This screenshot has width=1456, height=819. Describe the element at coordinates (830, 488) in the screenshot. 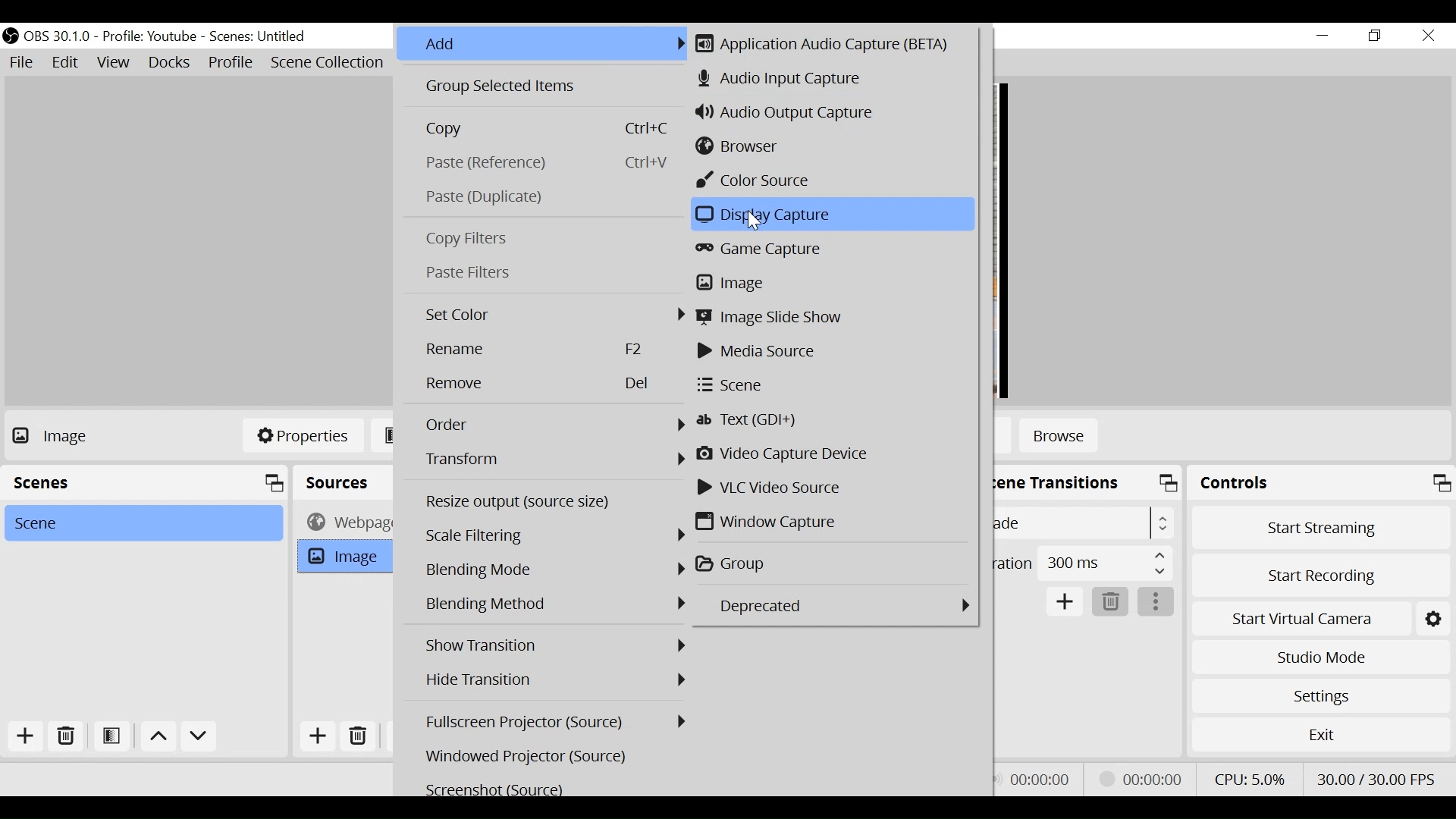

I see `VLC Video Source` at that location.